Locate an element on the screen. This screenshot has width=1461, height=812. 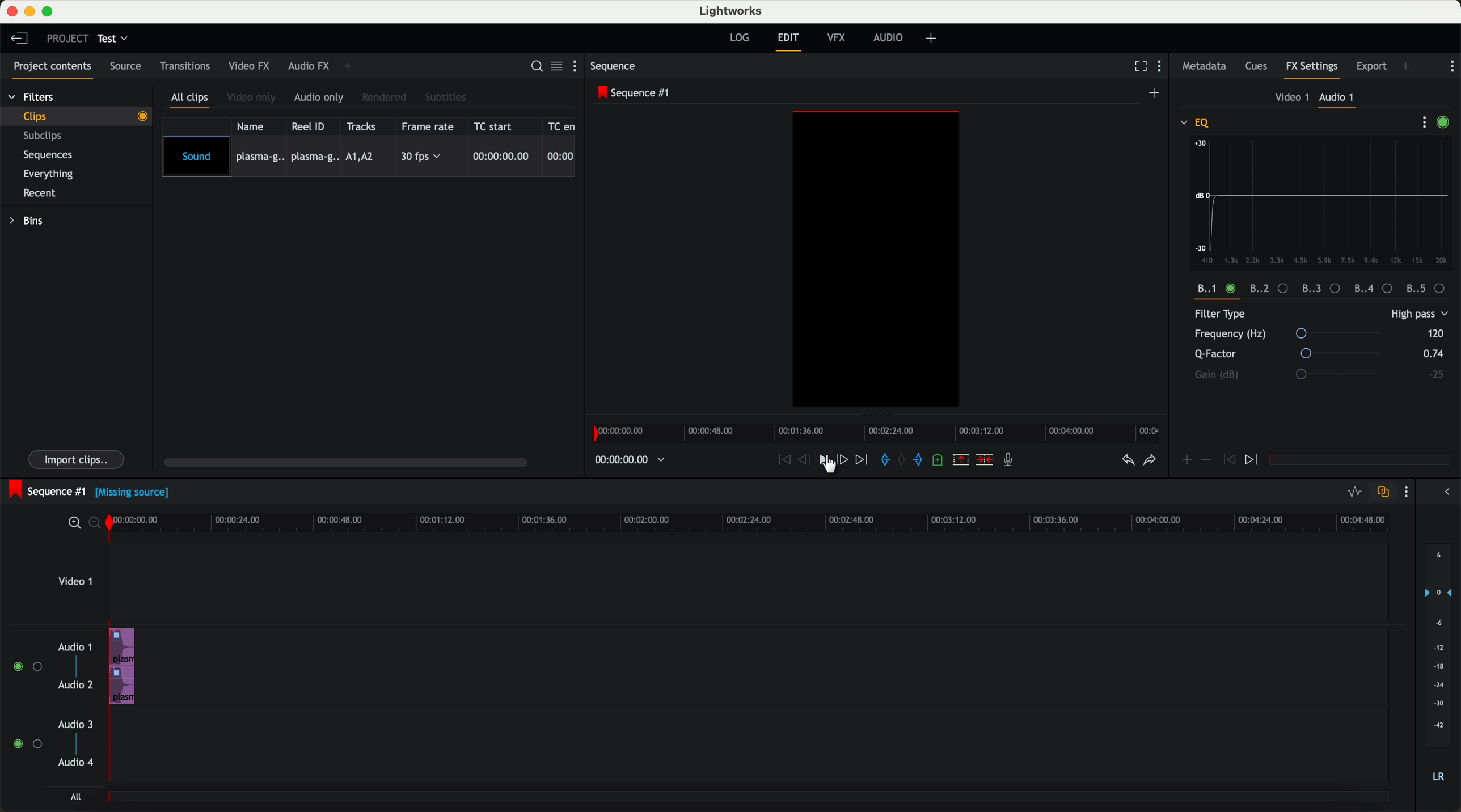
project is located at coordinates (65, 38).